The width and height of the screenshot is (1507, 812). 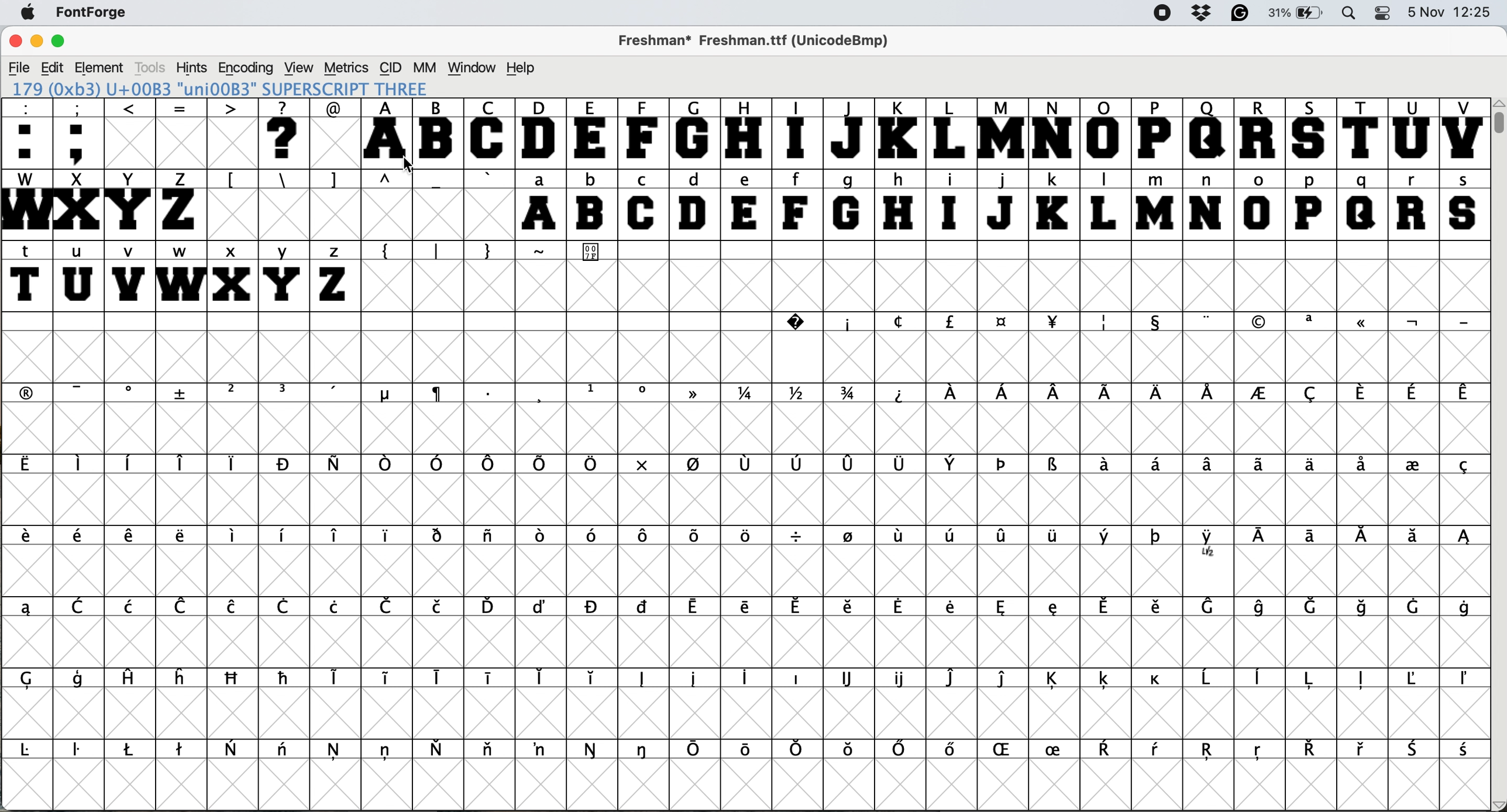 What do you see at coordinates (592, 205) in the screenshot?
I see `b` at bounding box center [592, 205].